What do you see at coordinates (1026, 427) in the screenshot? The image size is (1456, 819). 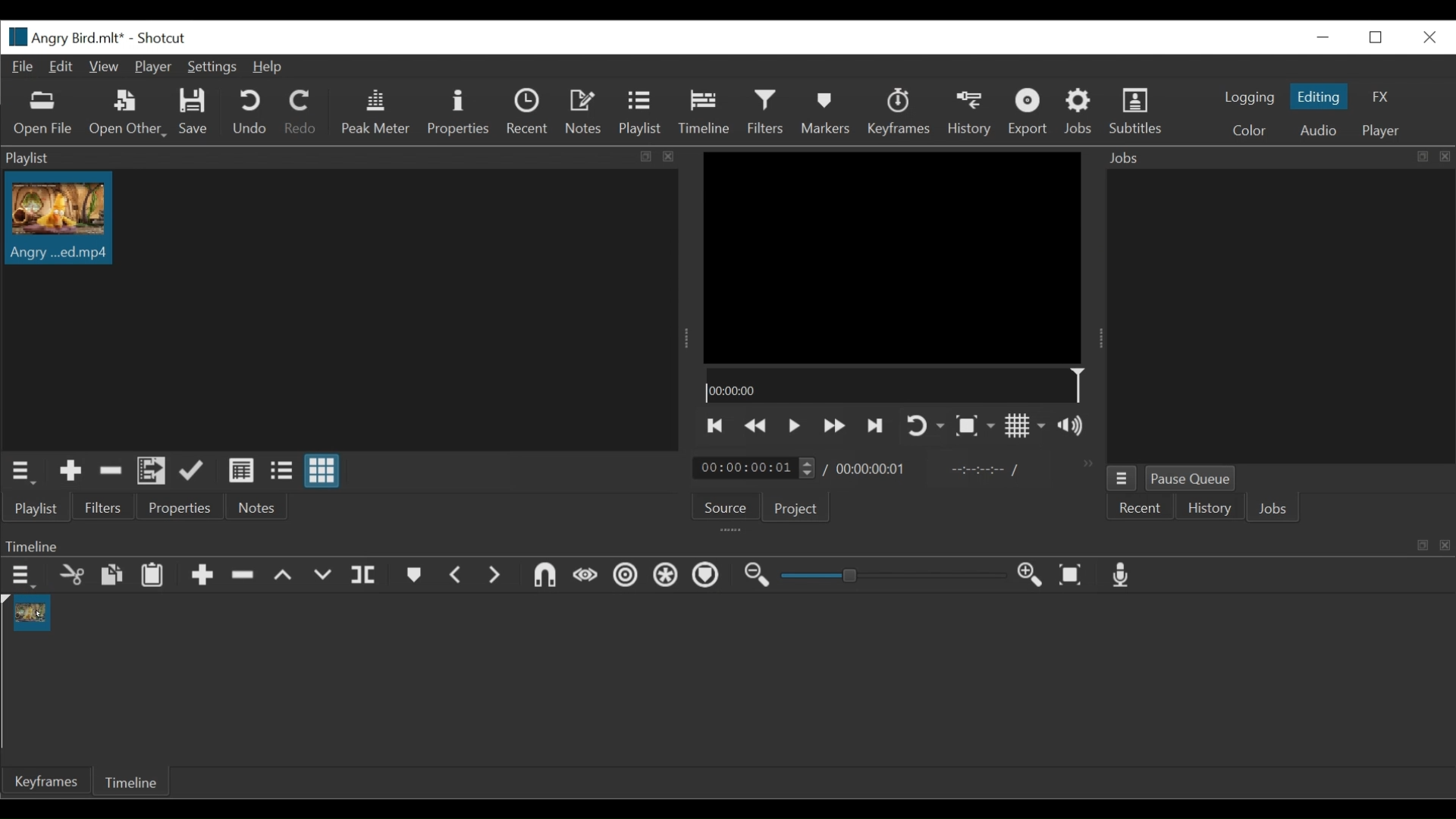 I see `Toggle grid display on player` at bounding box center [1026, 427].